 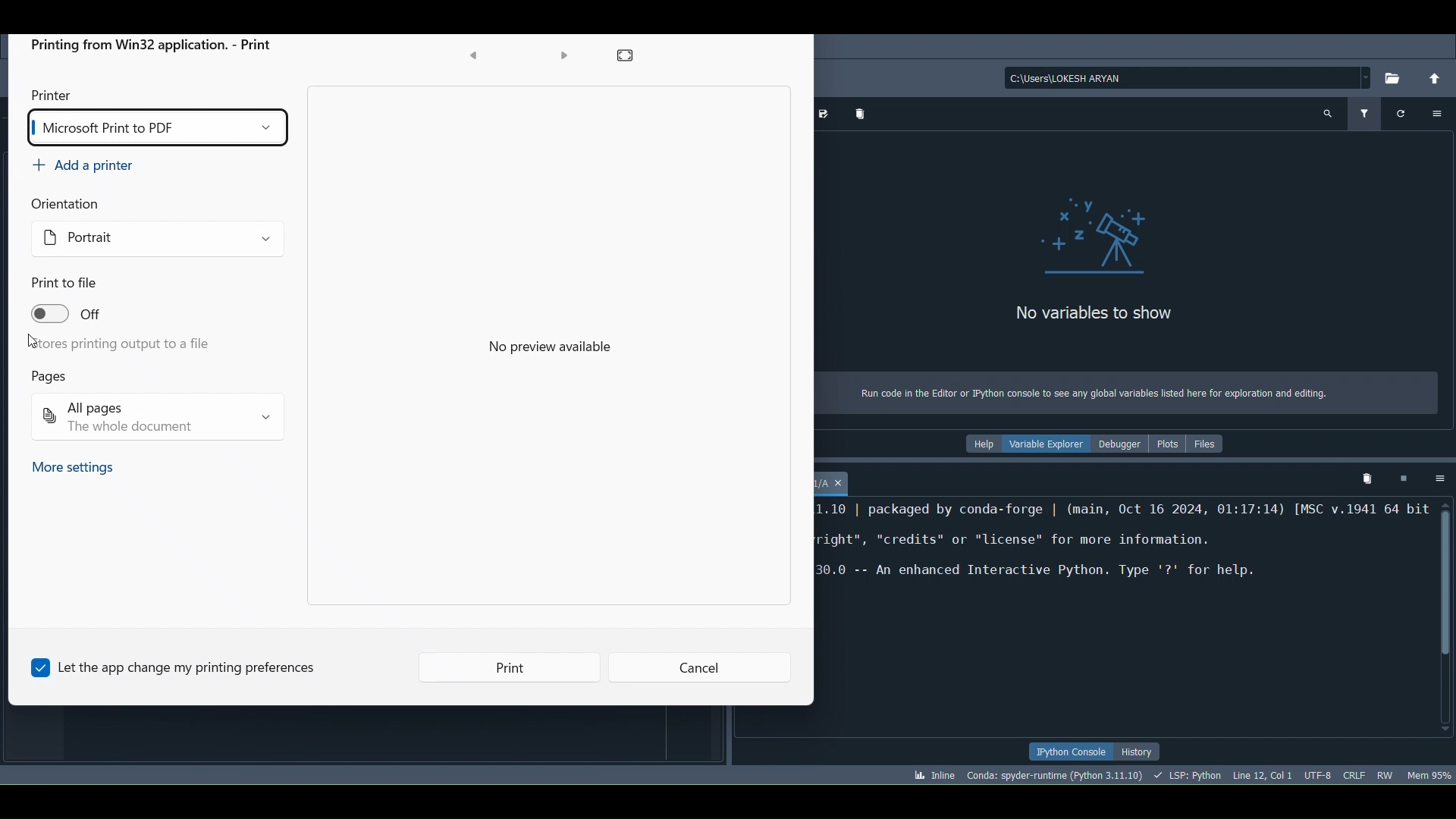 What do you see at coordinates (1443, 479) in the screenshot?
I see `Options` at bounding box center [1443, 479].